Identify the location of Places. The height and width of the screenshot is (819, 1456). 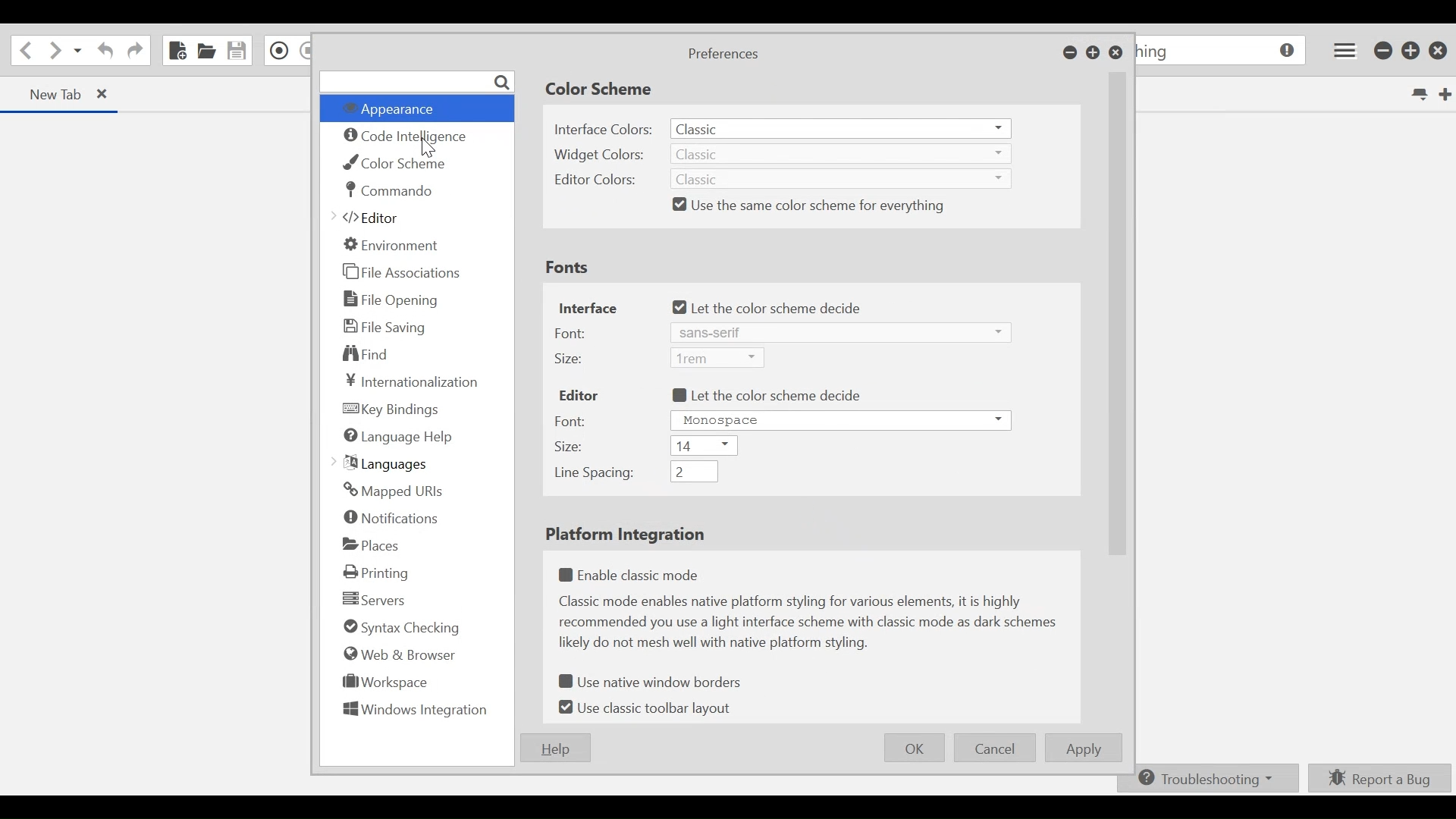
(372, 544).